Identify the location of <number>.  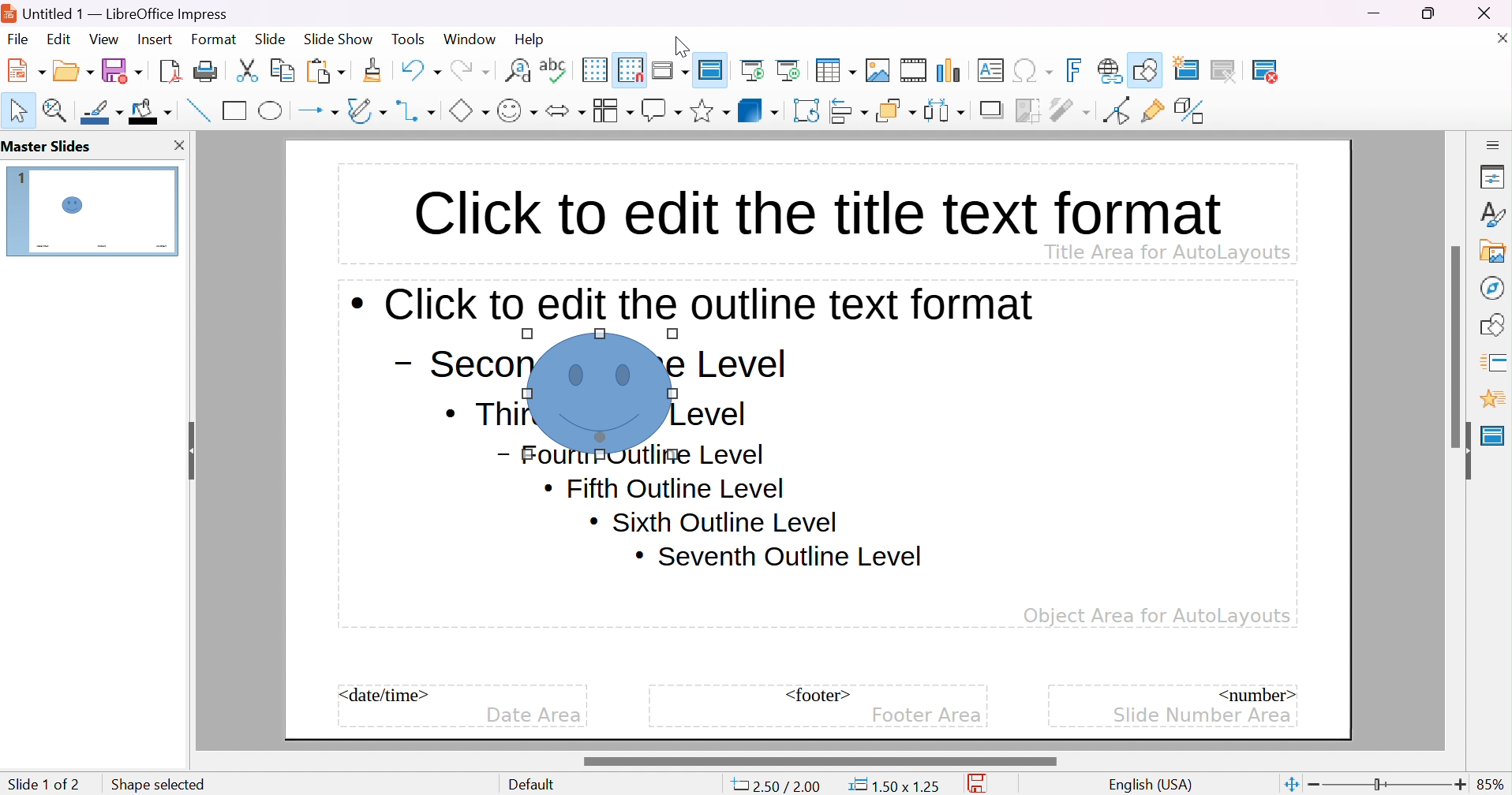
(1255, 693).